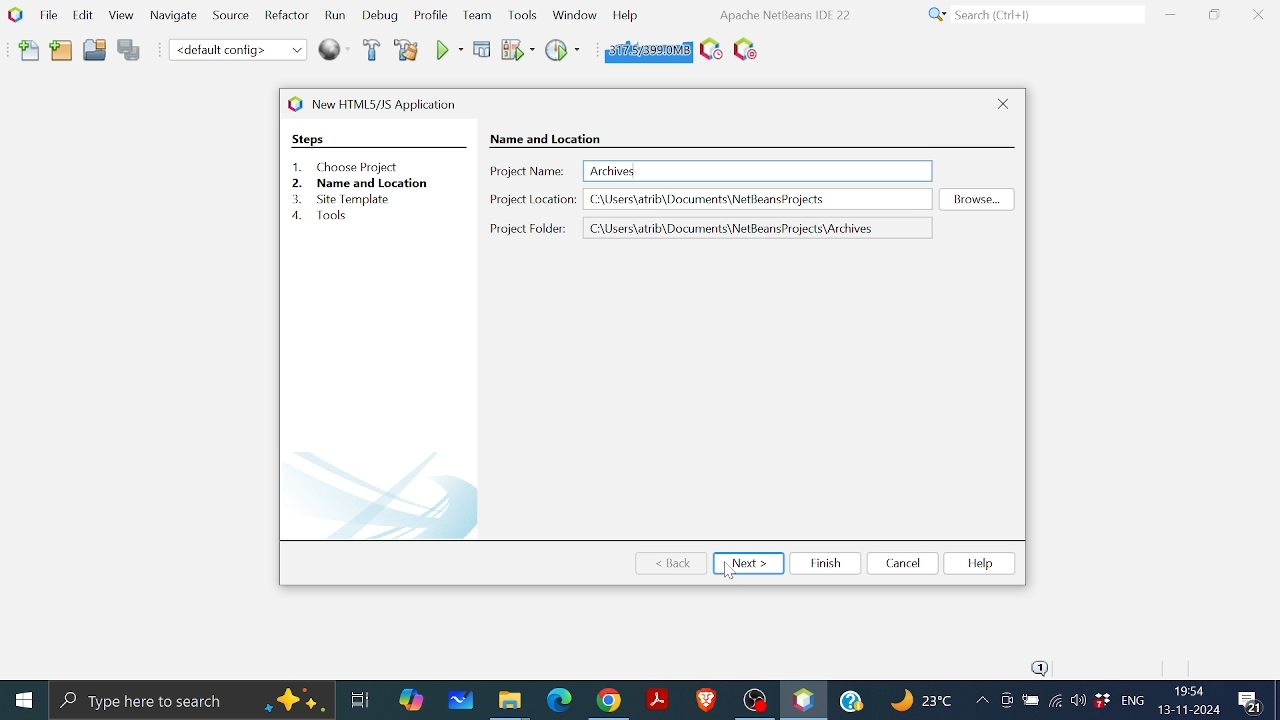  Describe the element at coordinates (1102, 701) in the screenshot. I see `Dropbox` at that location.